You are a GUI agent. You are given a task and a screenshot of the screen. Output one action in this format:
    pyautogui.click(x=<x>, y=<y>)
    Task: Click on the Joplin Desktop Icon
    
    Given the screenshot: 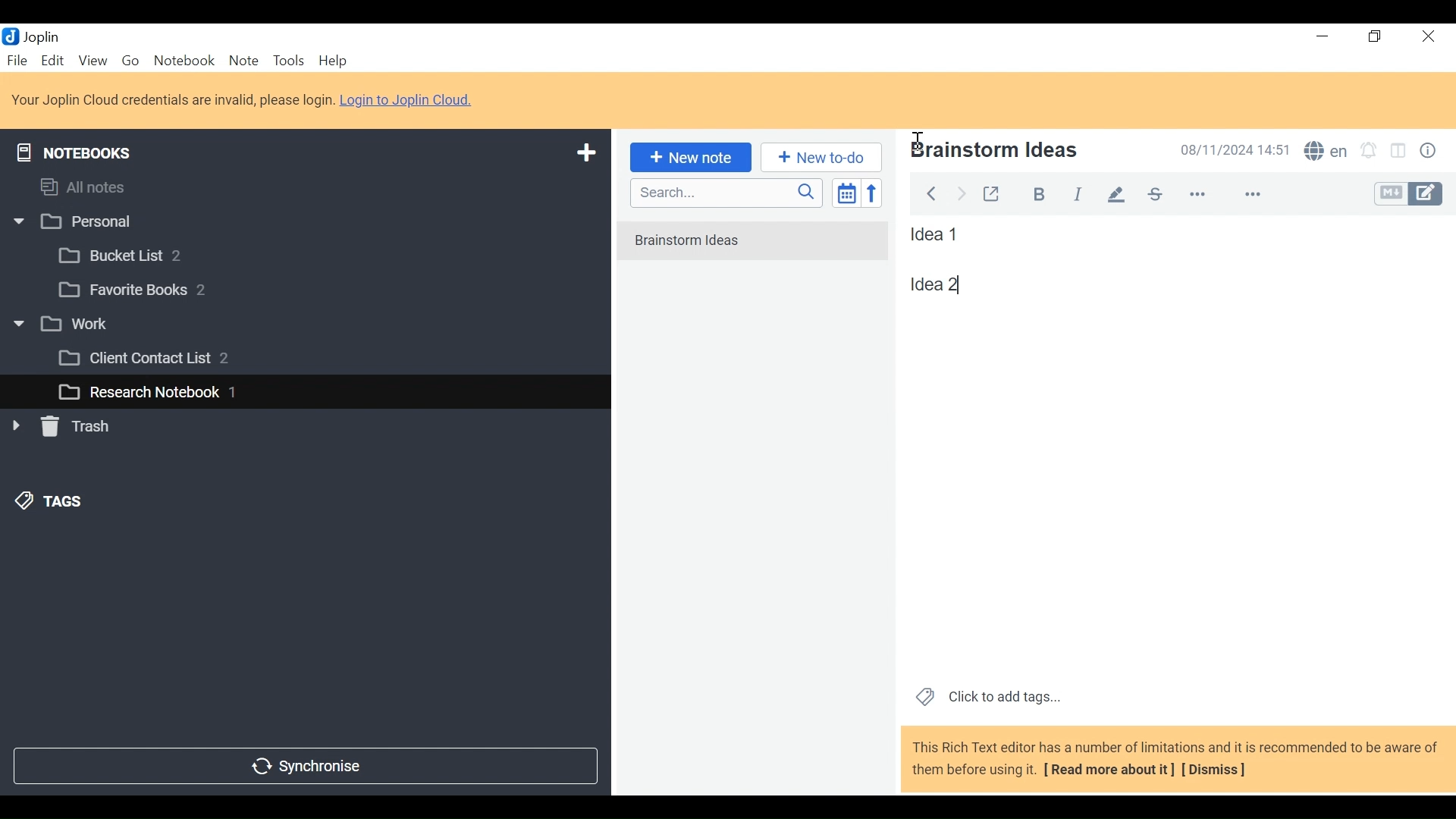 What is the action you would take?
    pyautogui.click(x=39, y=36)
    